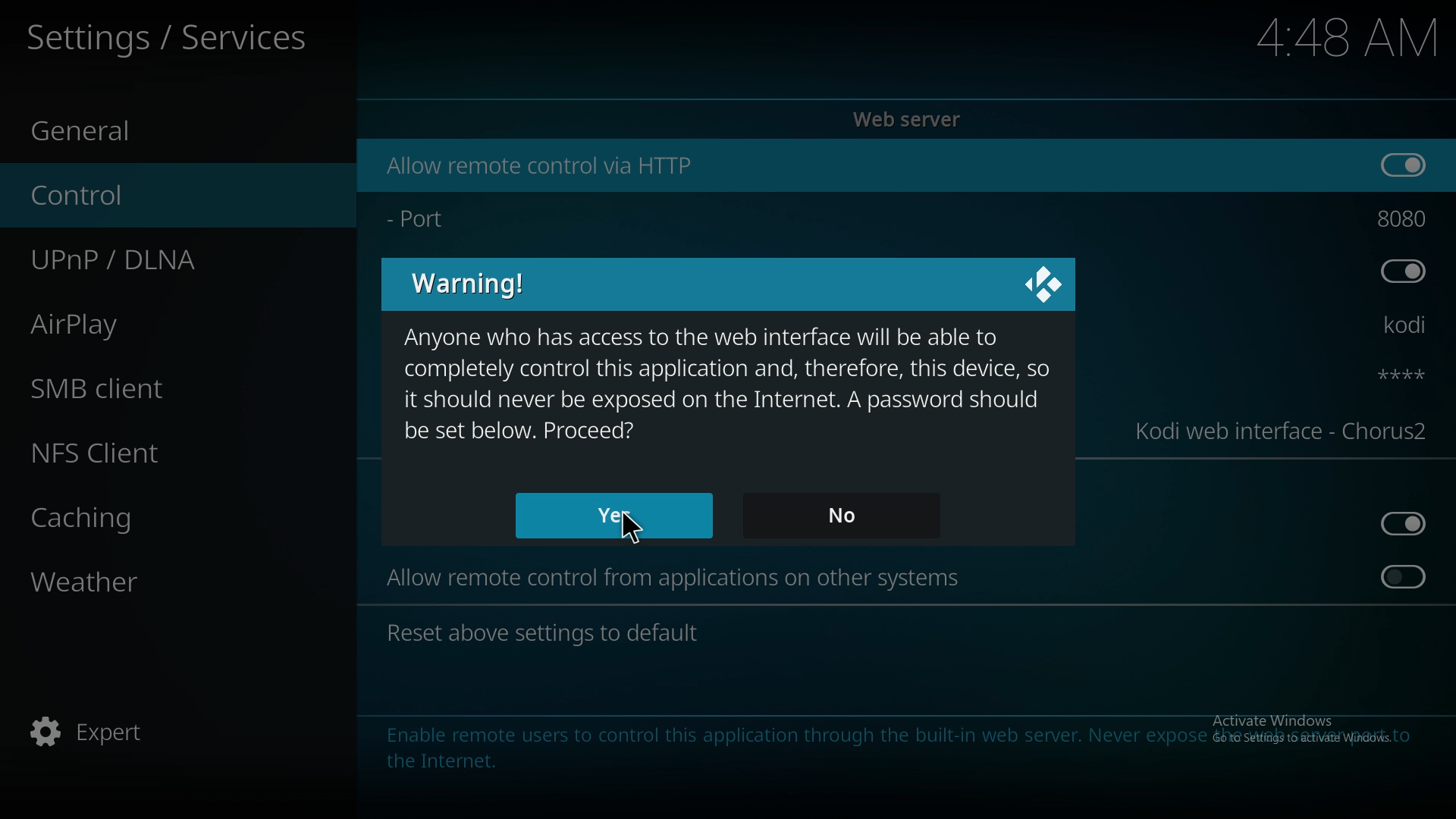 Image resolution: width=1456 pixels, height=819 pixels. What do you see at coordinates (1327, 37) in the screenshot?
I see `` at bounding box center [1327, 37].